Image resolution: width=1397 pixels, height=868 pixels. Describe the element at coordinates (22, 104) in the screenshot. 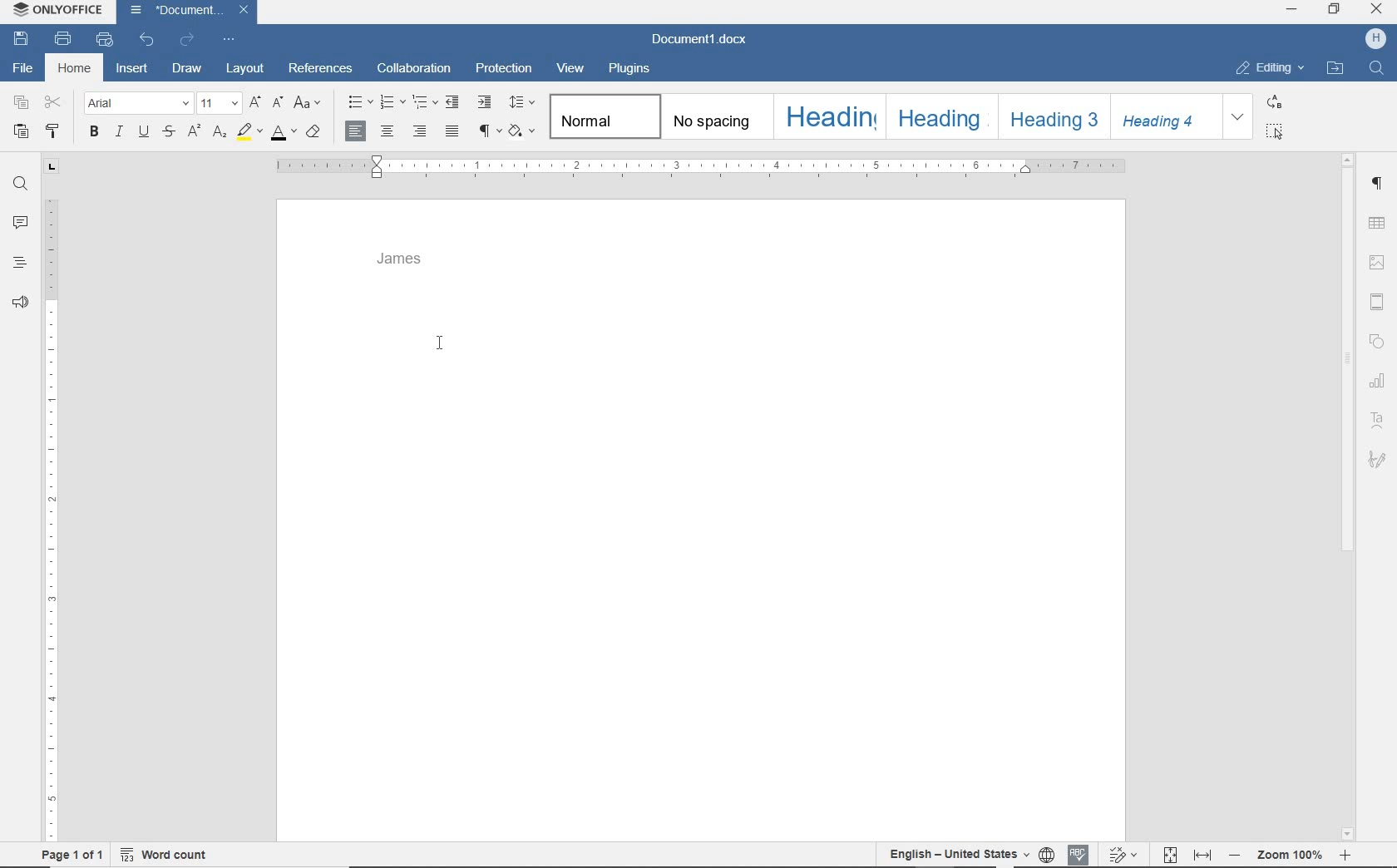

I see `copy` at that location.